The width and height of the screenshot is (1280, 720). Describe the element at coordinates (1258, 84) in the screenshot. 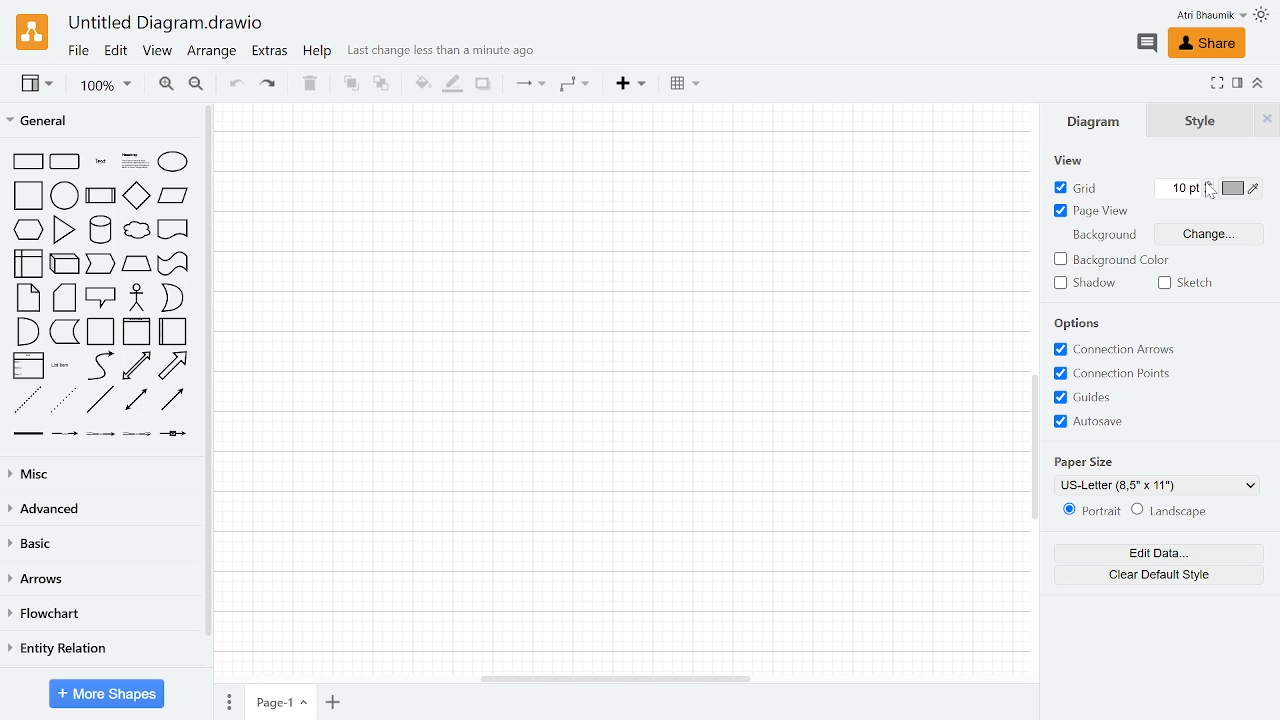

I see `Collapse` at that location.